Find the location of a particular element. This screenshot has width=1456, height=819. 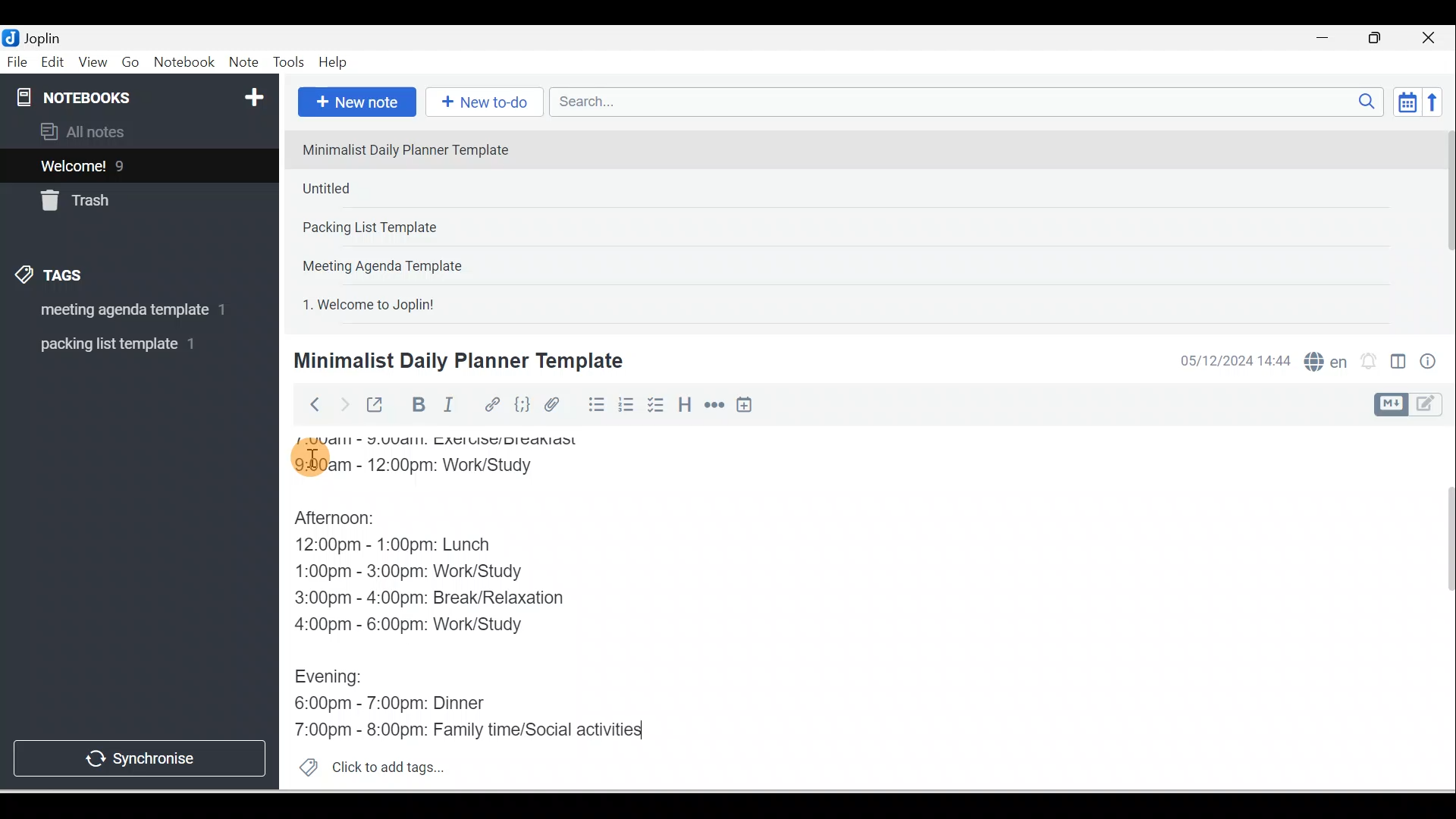

Scroll bar is located at coordinates (1444, 224).